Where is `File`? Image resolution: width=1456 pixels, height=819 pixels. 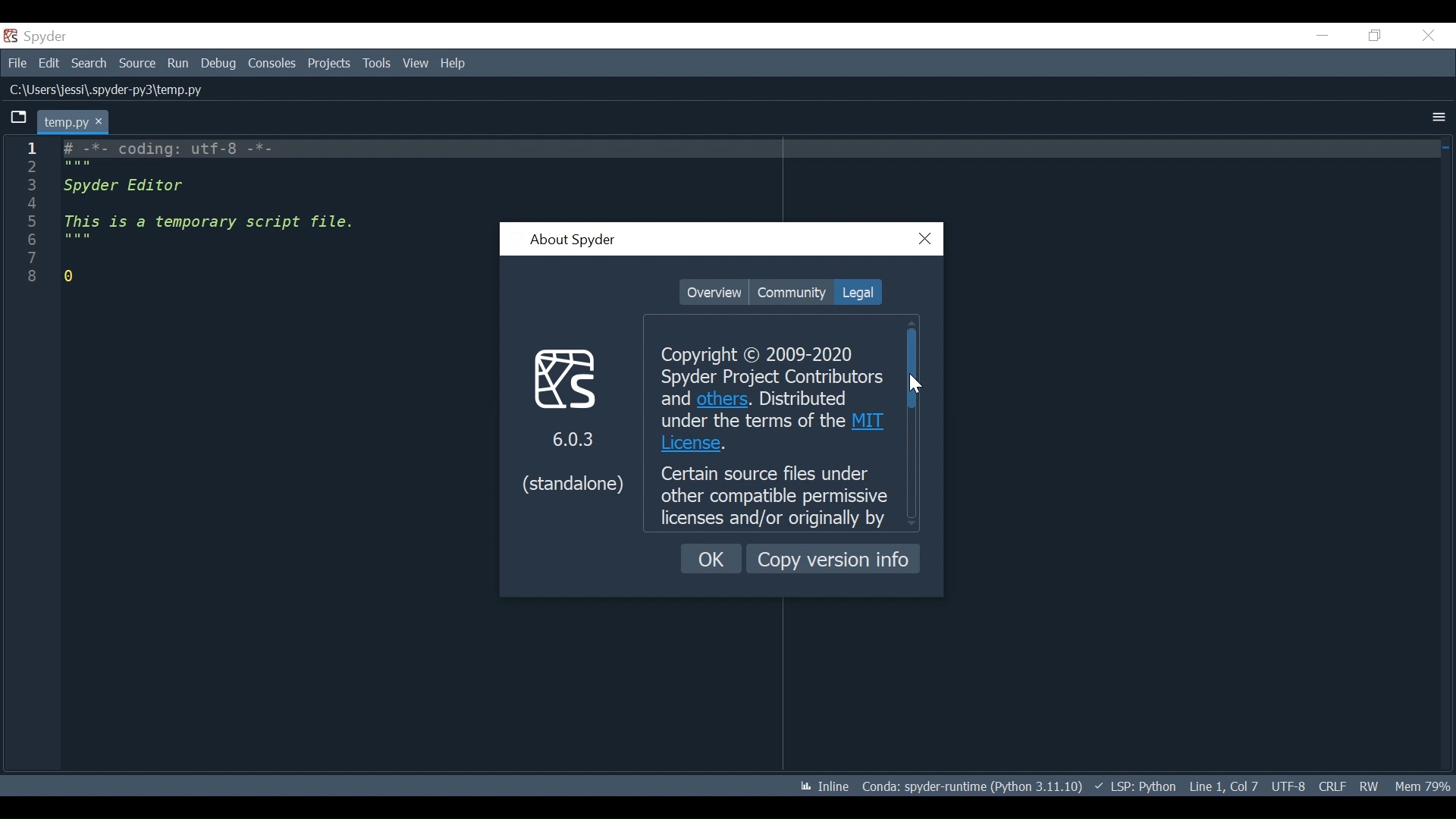 File is located at coordinates (15, 61).